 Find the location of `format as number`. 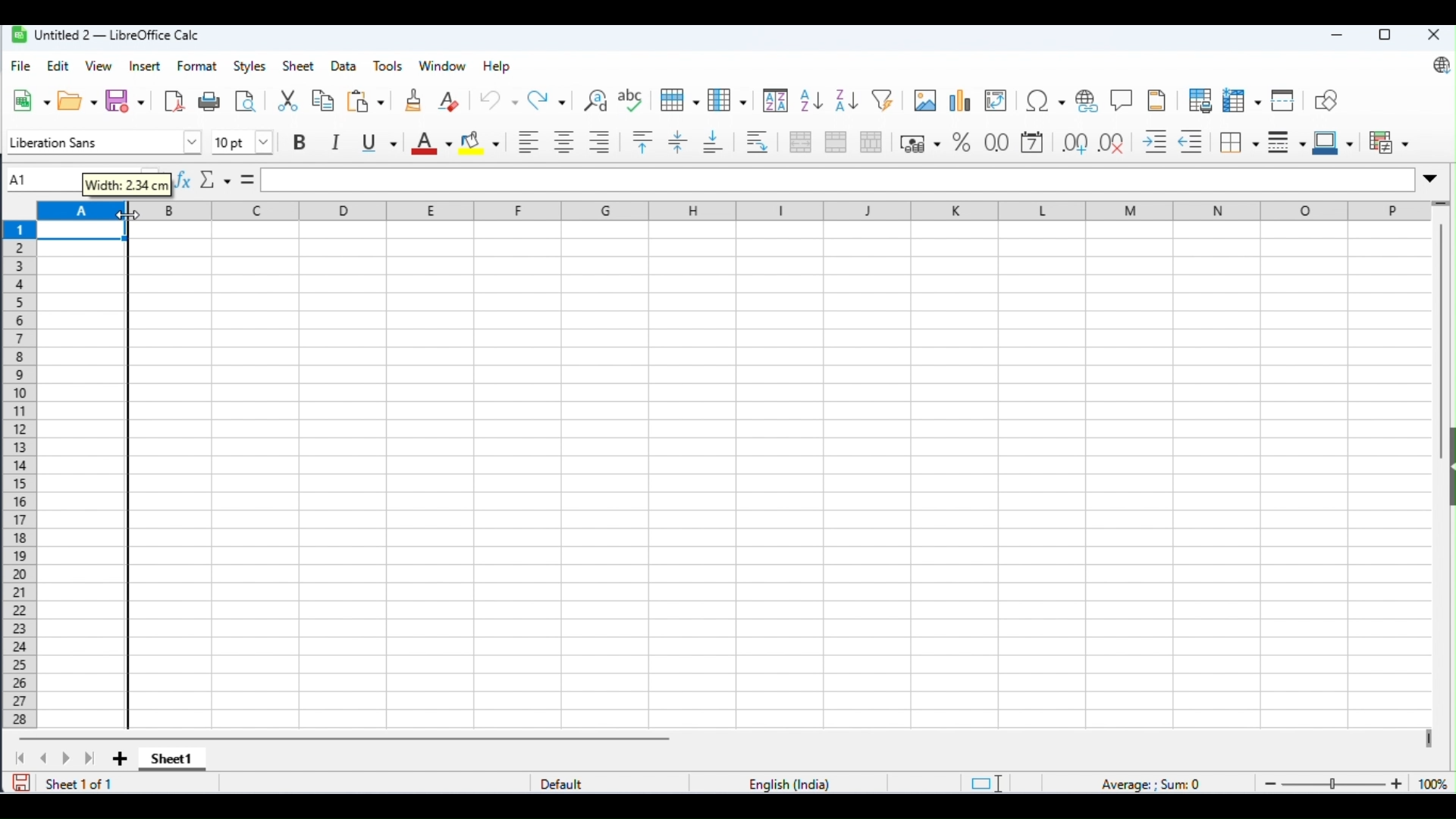

format as number is located at coordinates (996, 142).